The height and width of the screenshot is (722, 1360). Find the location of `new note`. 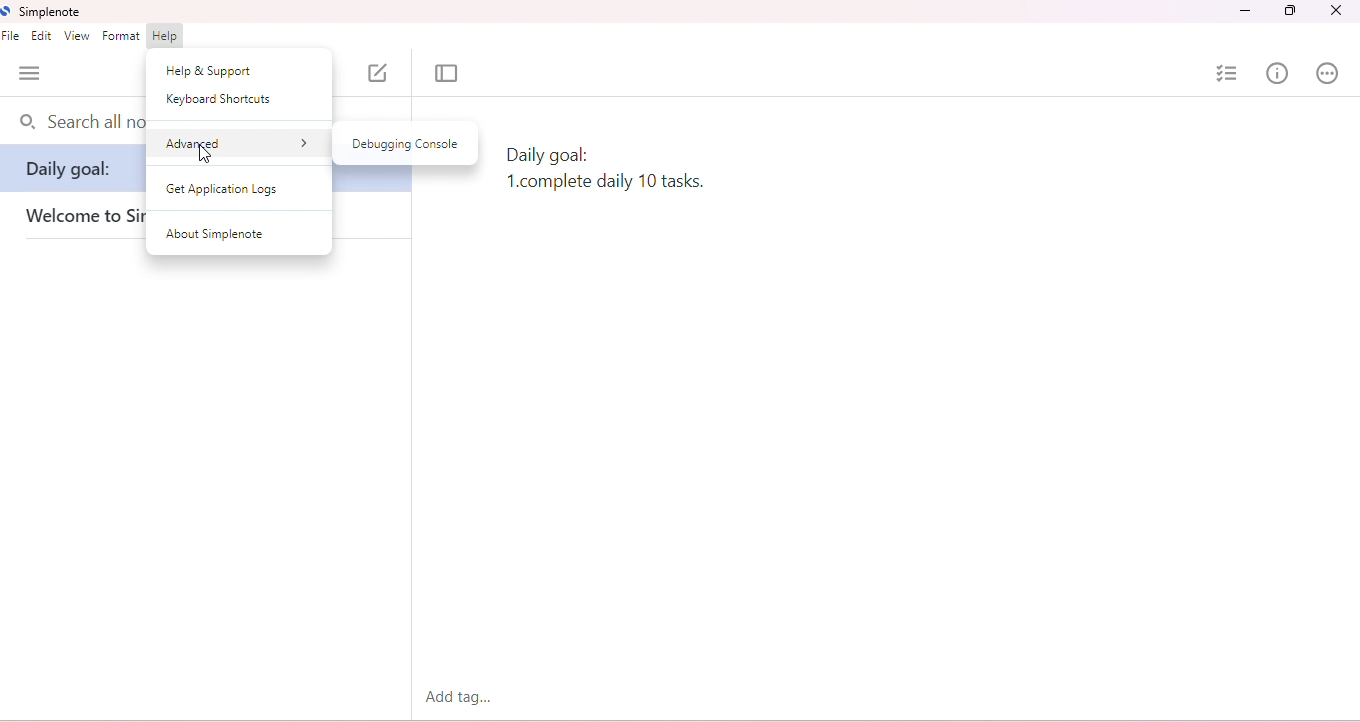

new note is located at coordinates (377, 72).